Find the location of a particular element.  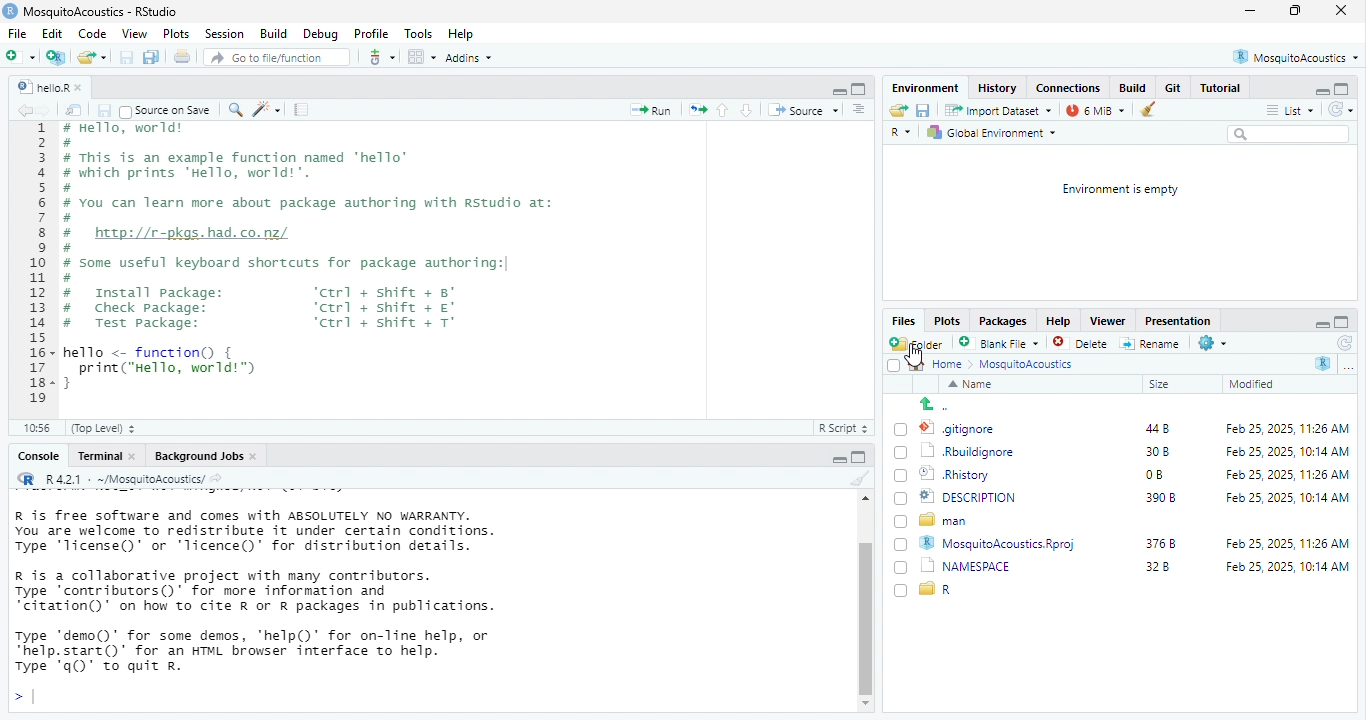

’ find /replace is located at coordinates (237, 111).